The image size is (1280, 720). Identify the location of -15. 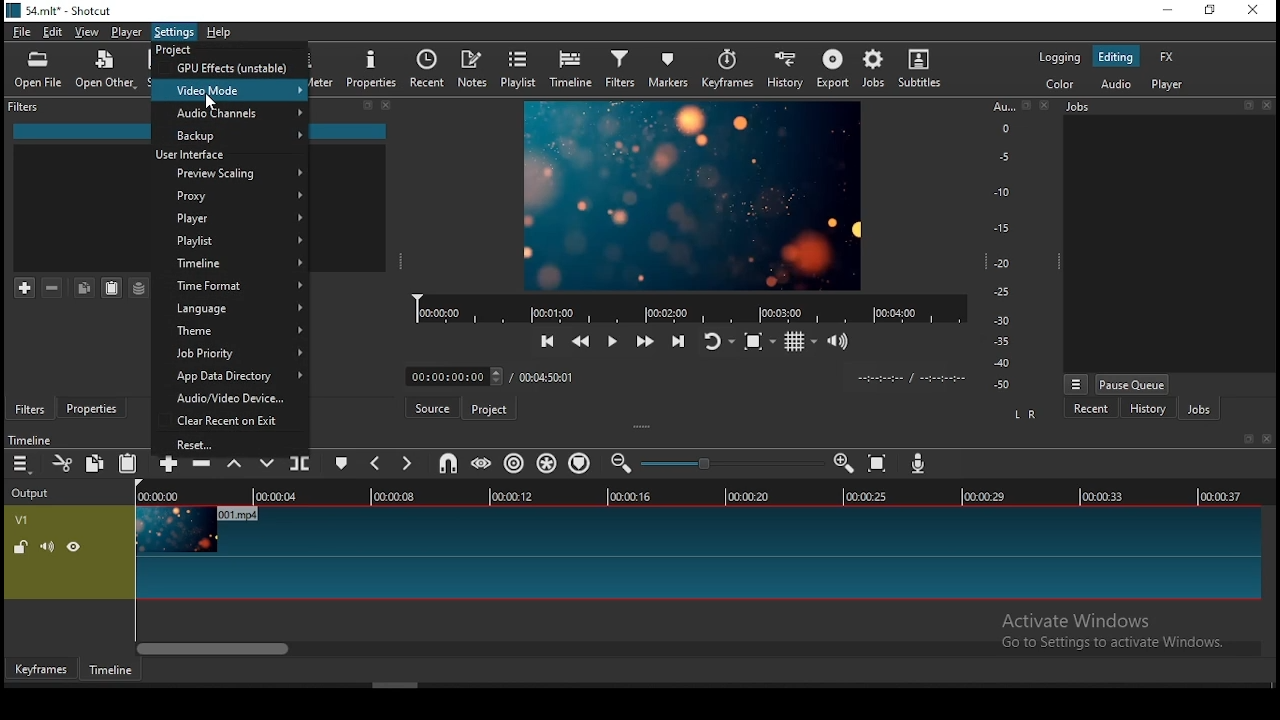
(1000, 227).